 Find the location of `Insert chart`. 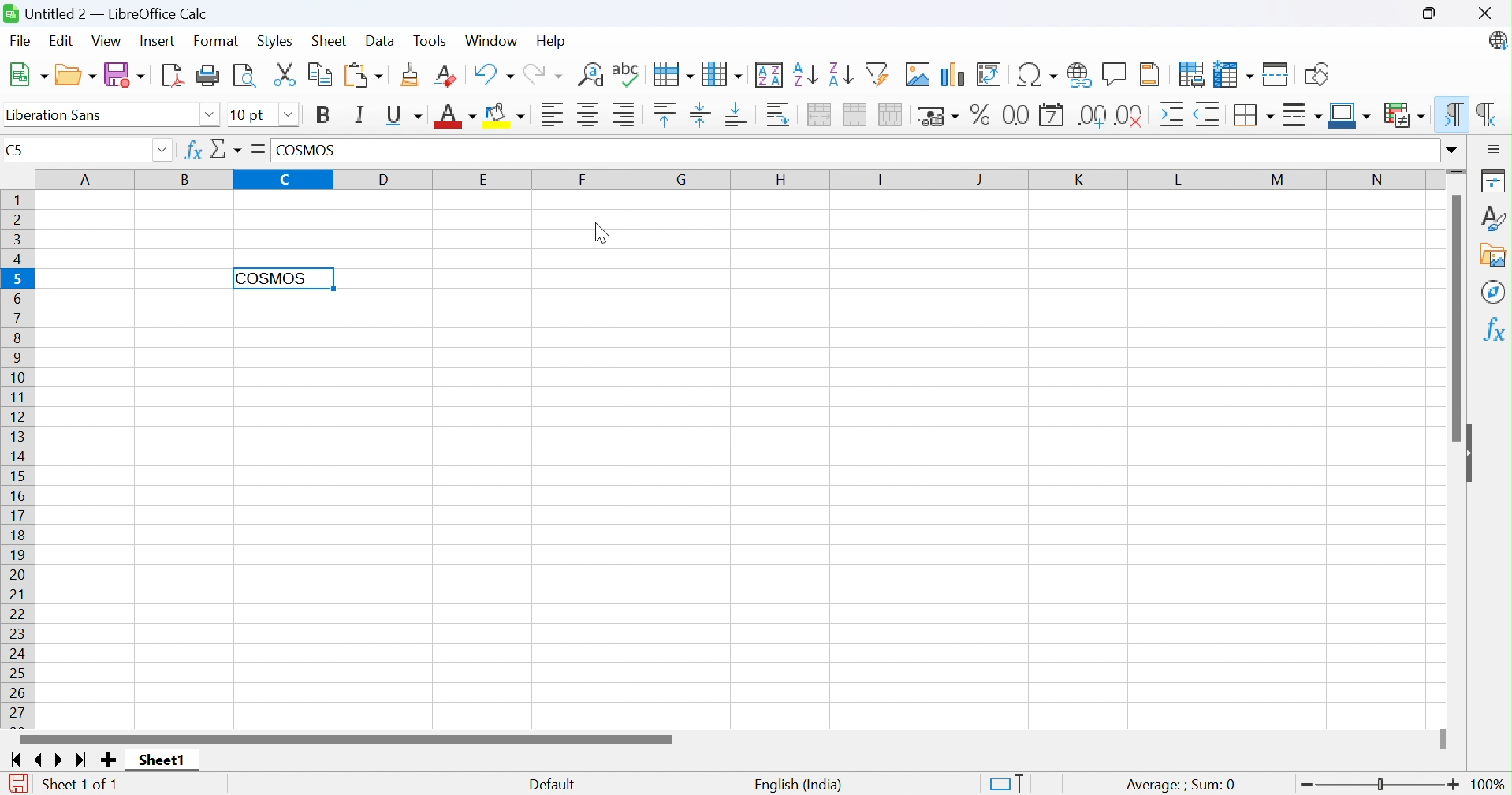

Insert chart is located at coordinates (954, 74).